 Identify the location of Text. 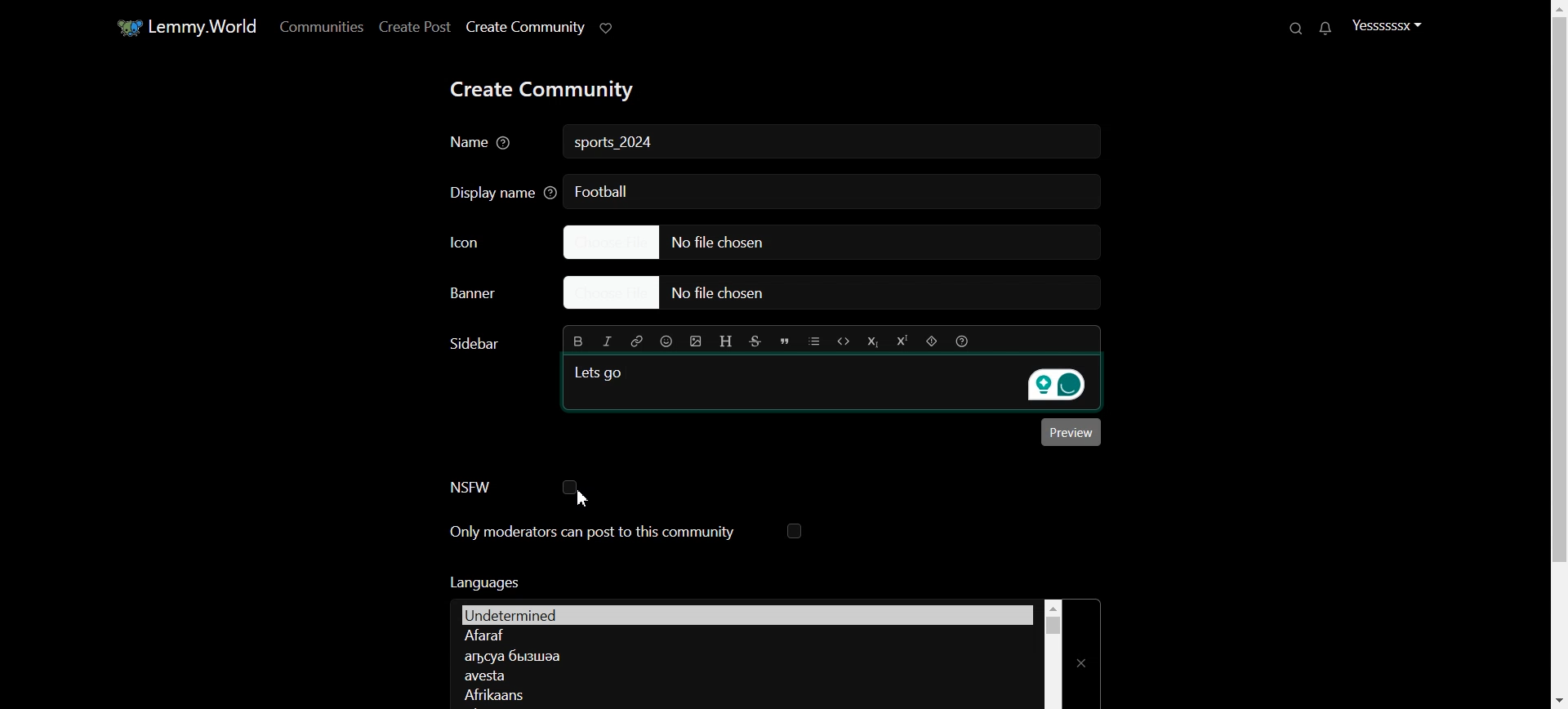
(472, 344).